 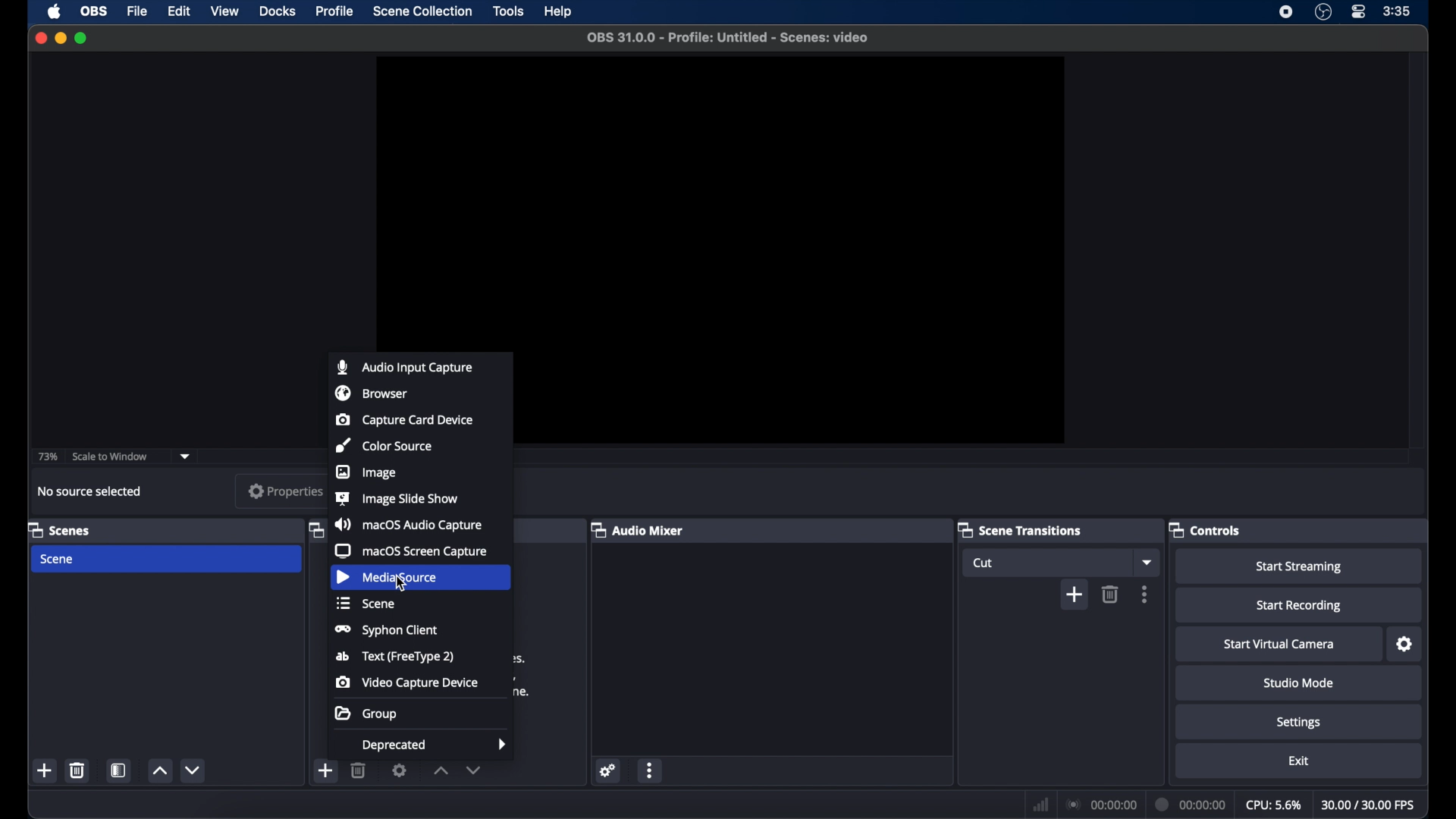 What do you see at coordinates (1191, 804) in the screenshot?
I see `duration` at bounding box center [1191, 804].